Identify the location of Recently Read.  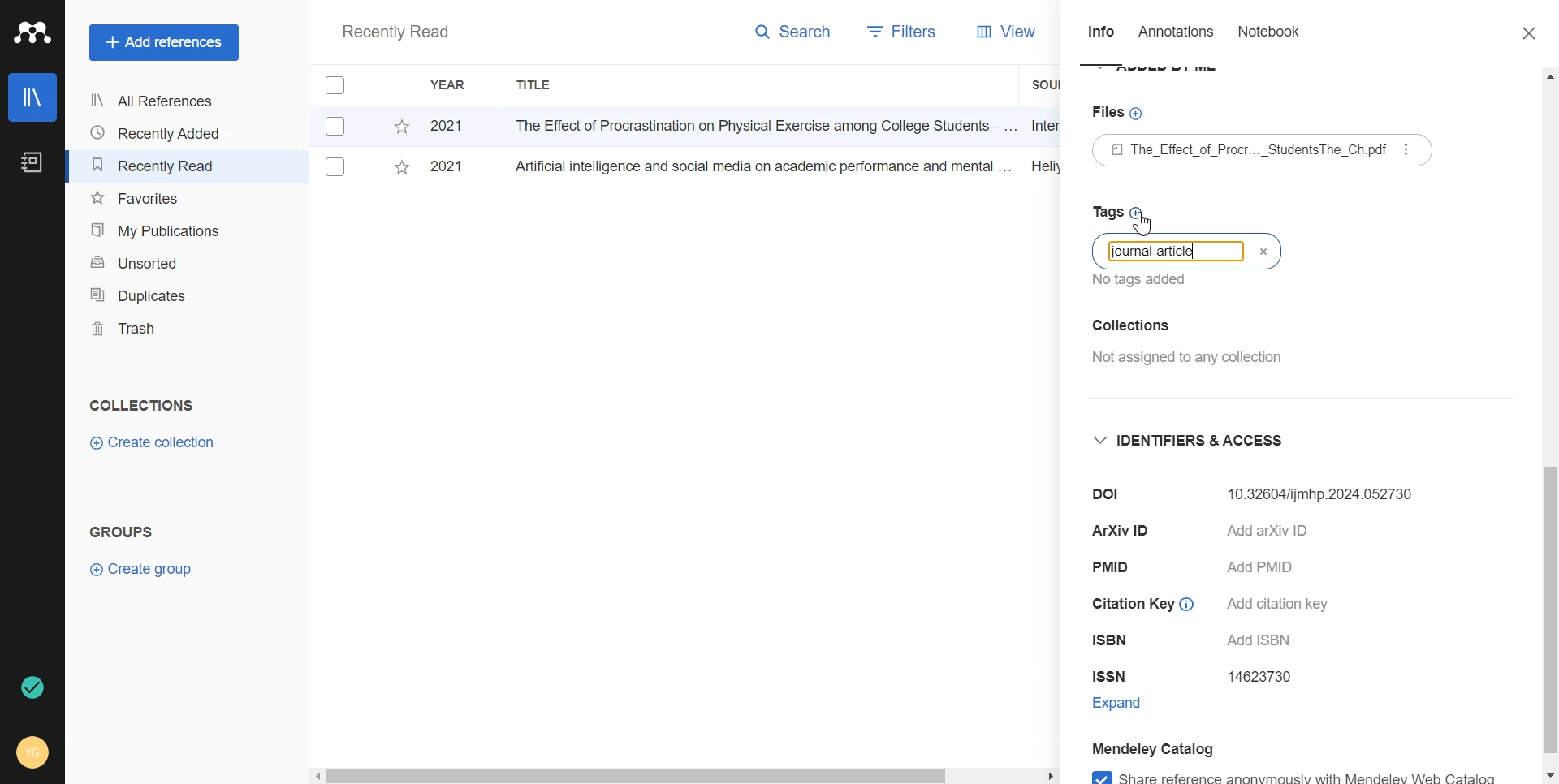
(158, 166).